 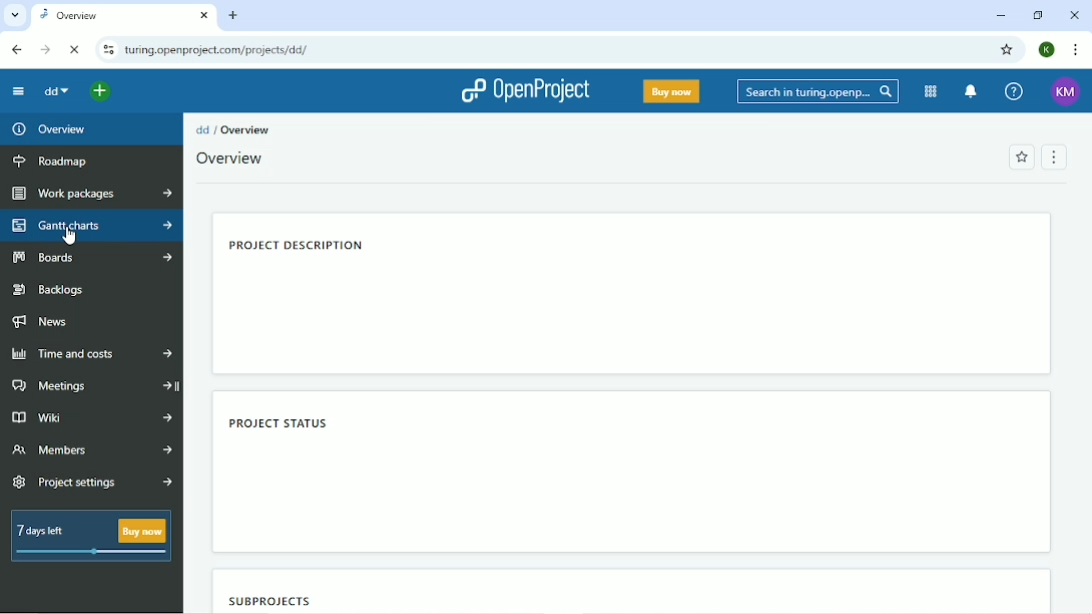 I want to click on Active projects, so click(x=248, y=158).